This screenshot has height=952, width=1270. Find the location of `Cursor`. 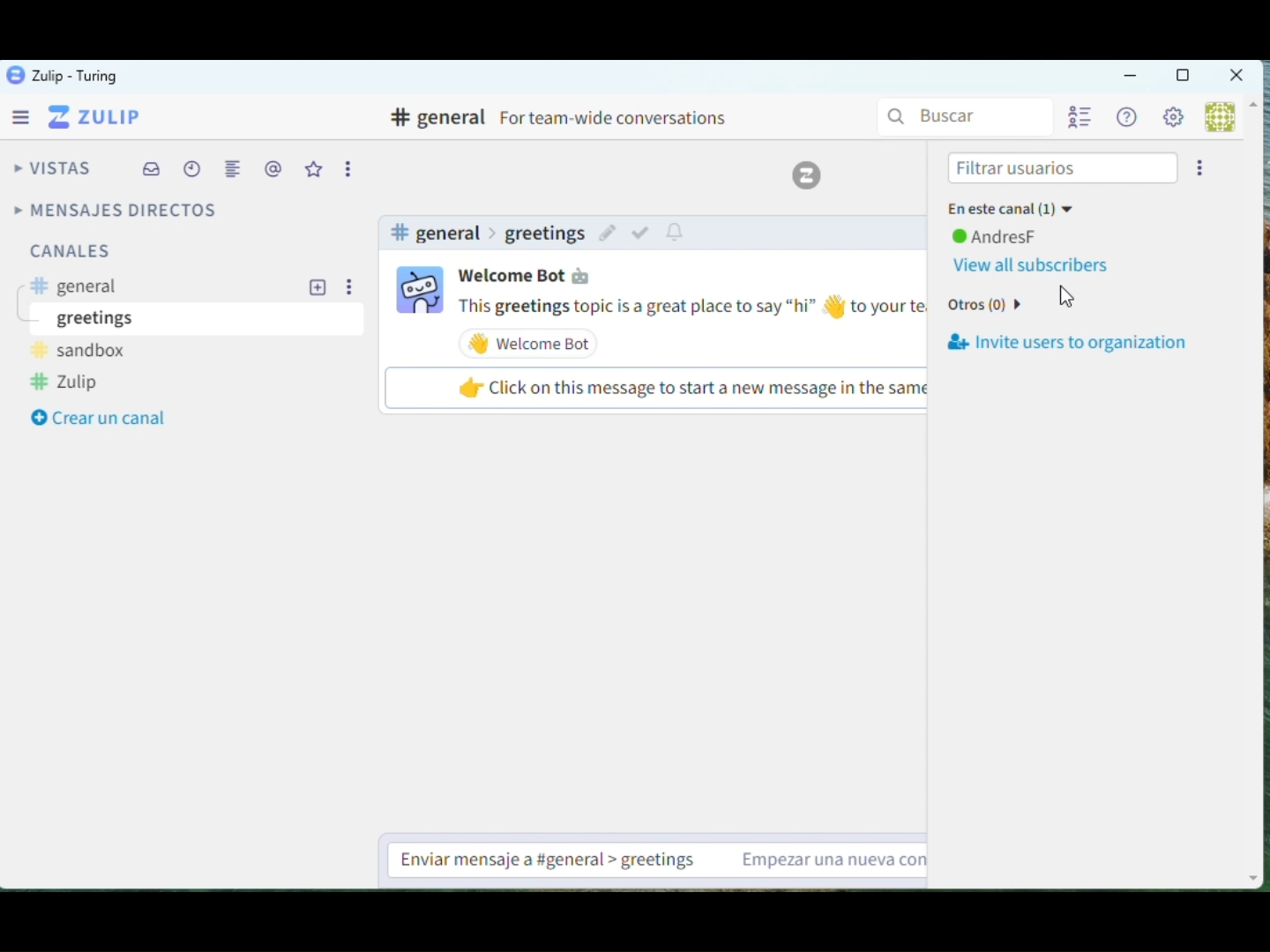

Cursor is located at coordinates (1068, 298).